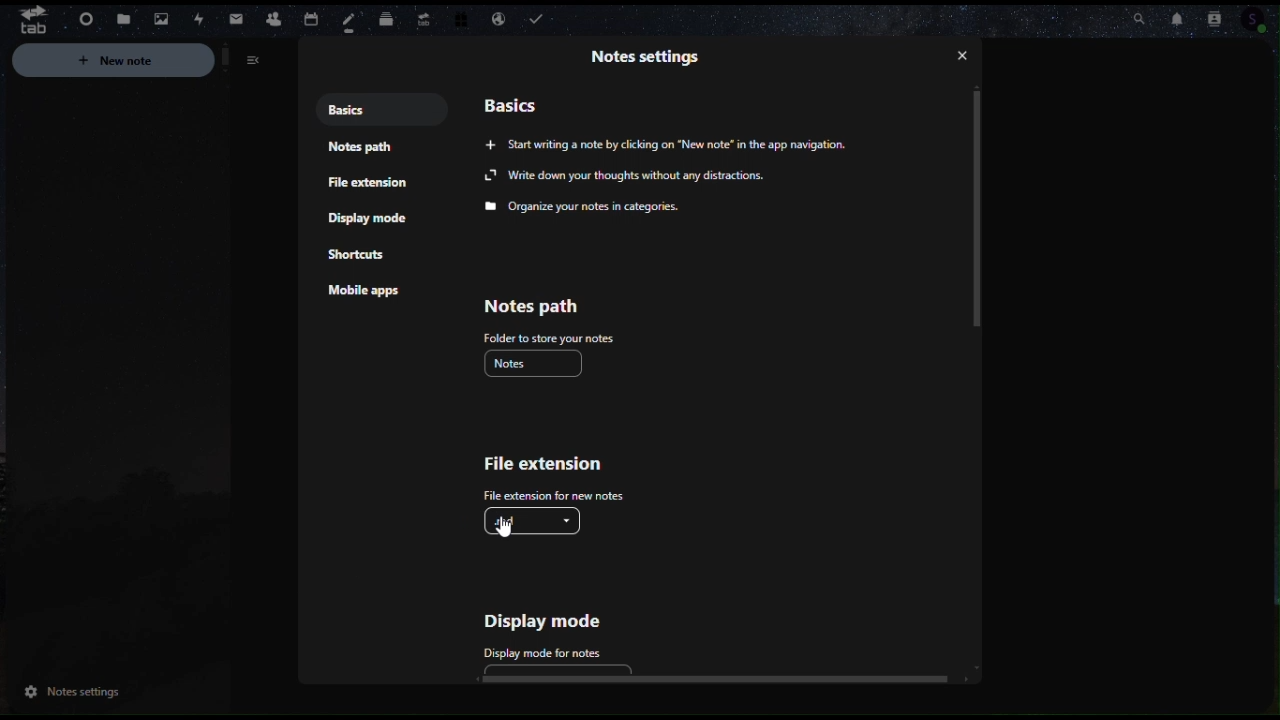  What do you see at coordinates (387, 16) in the screenshot?
I see `deck` at bounding box center [387, 16].